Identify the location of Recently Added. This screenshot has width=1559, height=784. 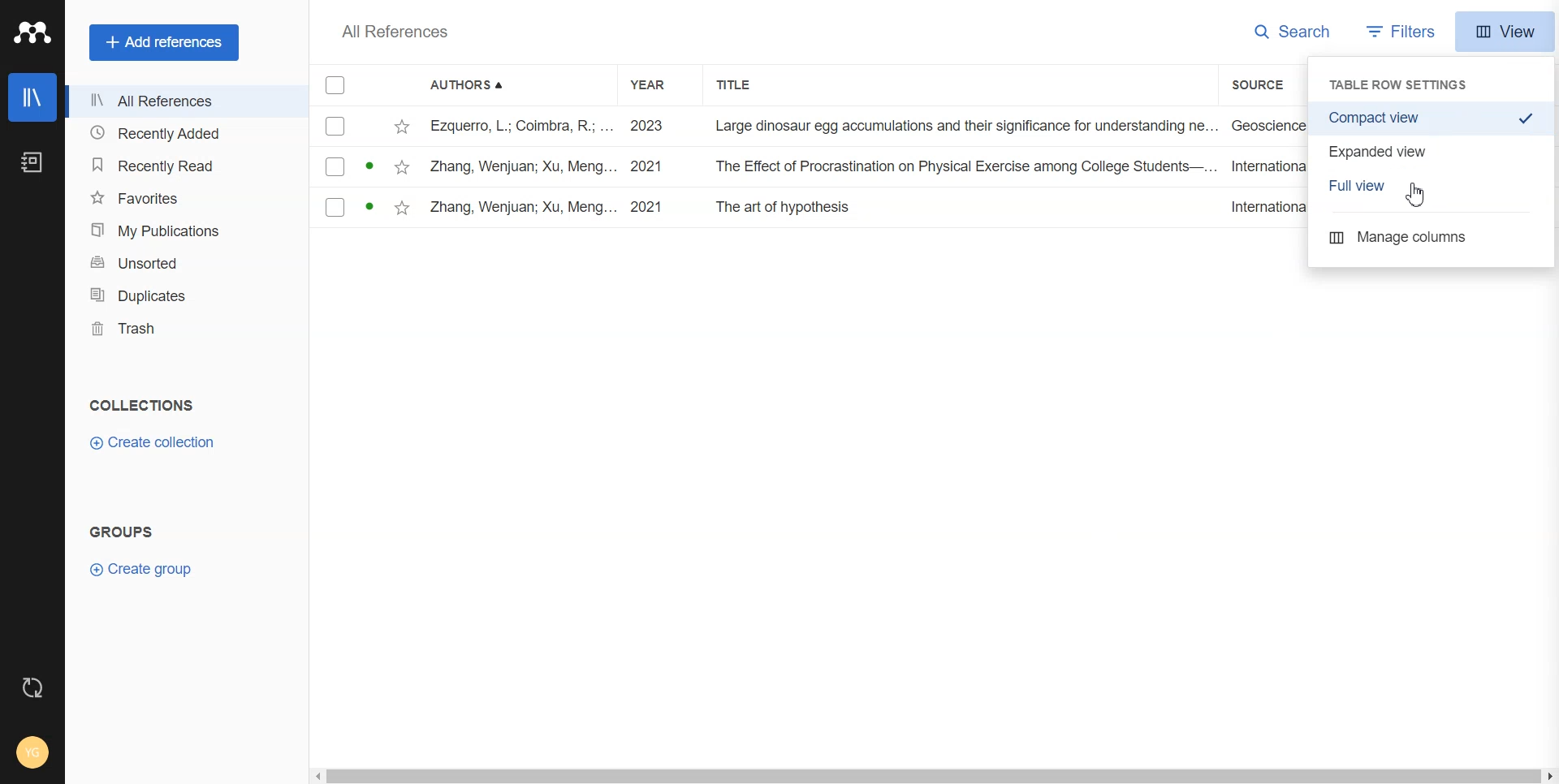
(171, 132).